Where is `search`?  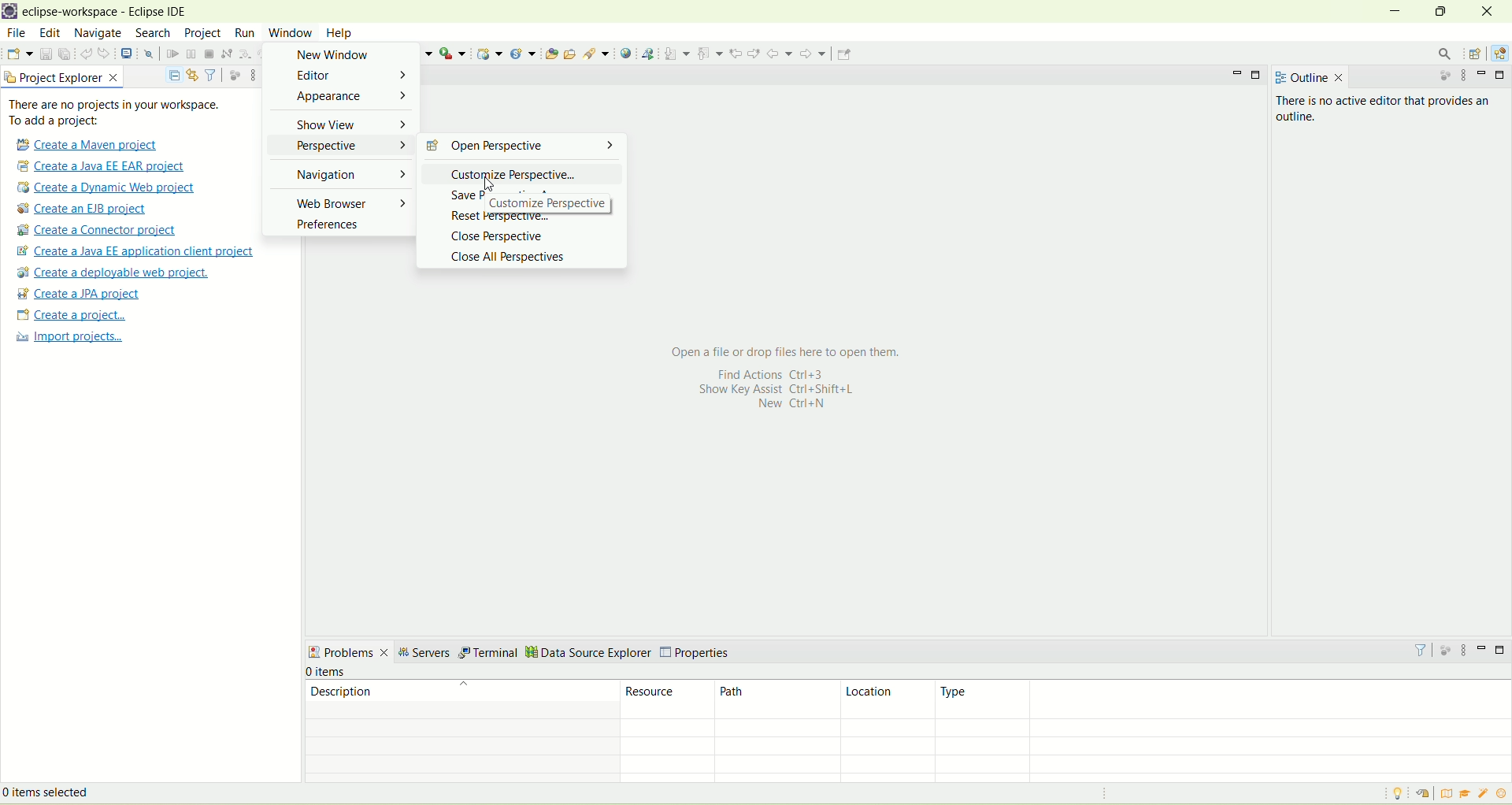 search is located at coordinates (150, 34).